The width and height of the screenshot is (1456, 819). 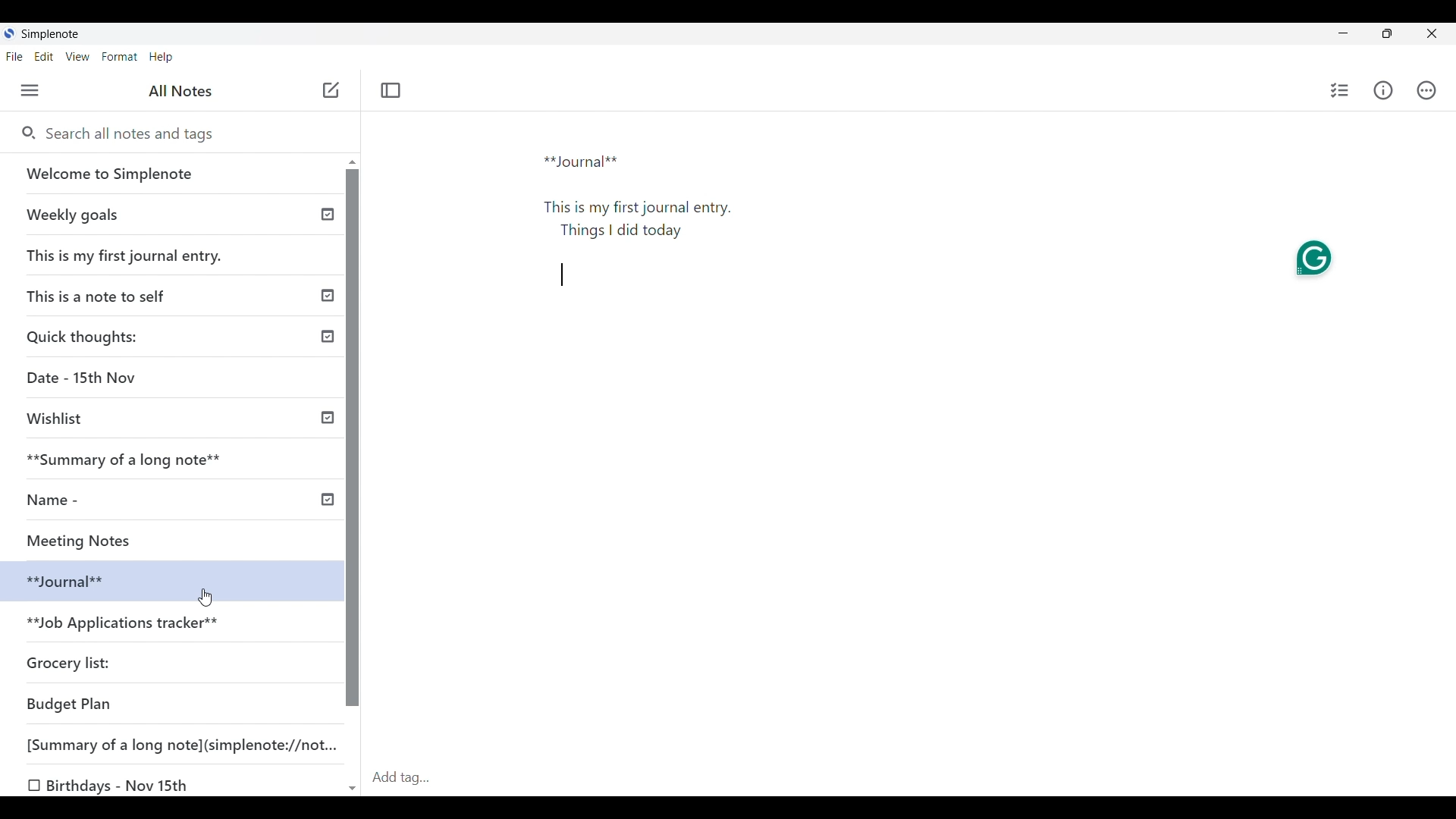 What do you see at coordinates (9, 33) in the screenshot?
I see `Software logo` at bounding box center [9, 33].